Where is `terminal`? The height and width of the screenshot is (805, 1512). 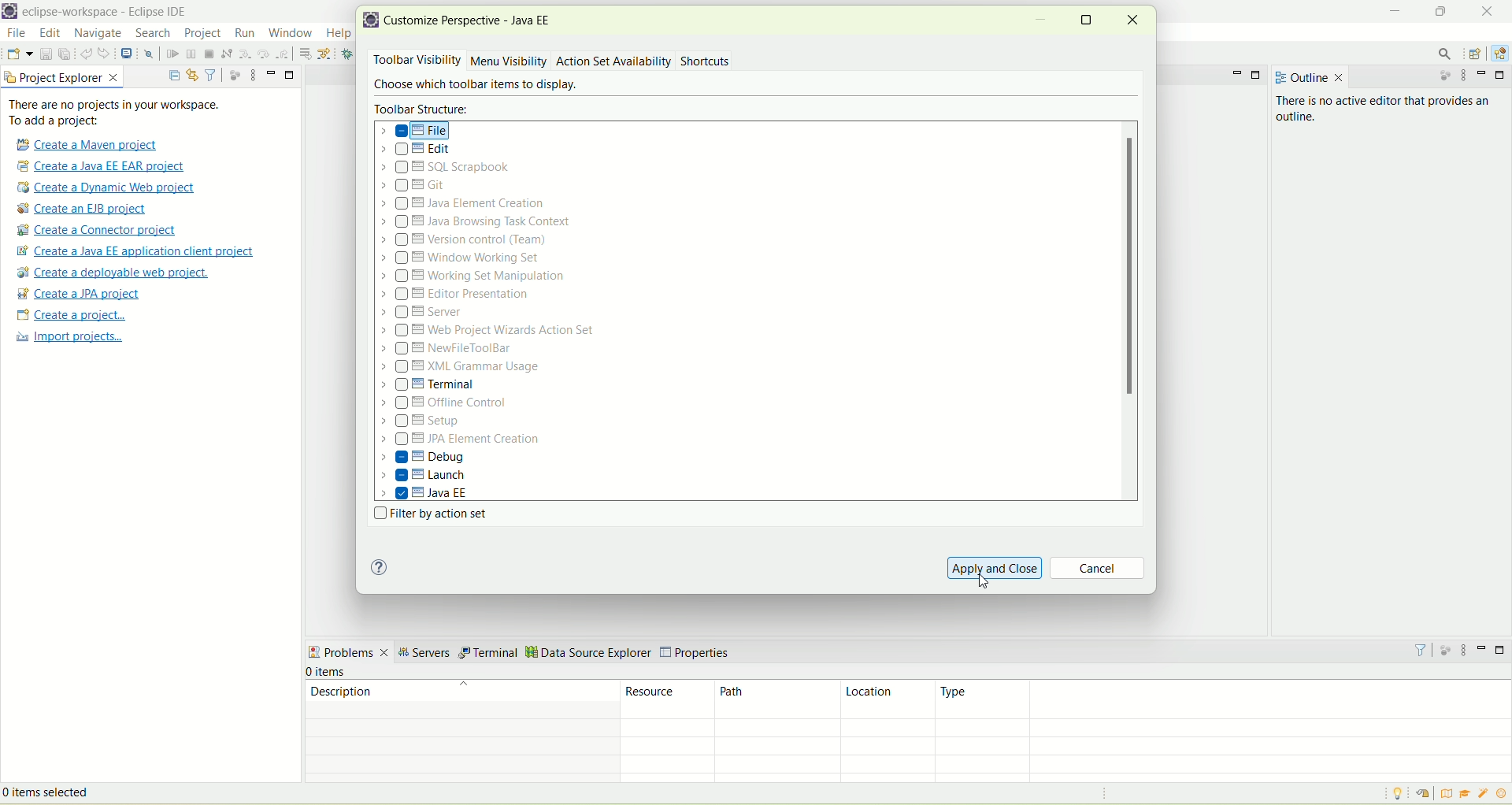 terminal is located at coordinates (488, 653).